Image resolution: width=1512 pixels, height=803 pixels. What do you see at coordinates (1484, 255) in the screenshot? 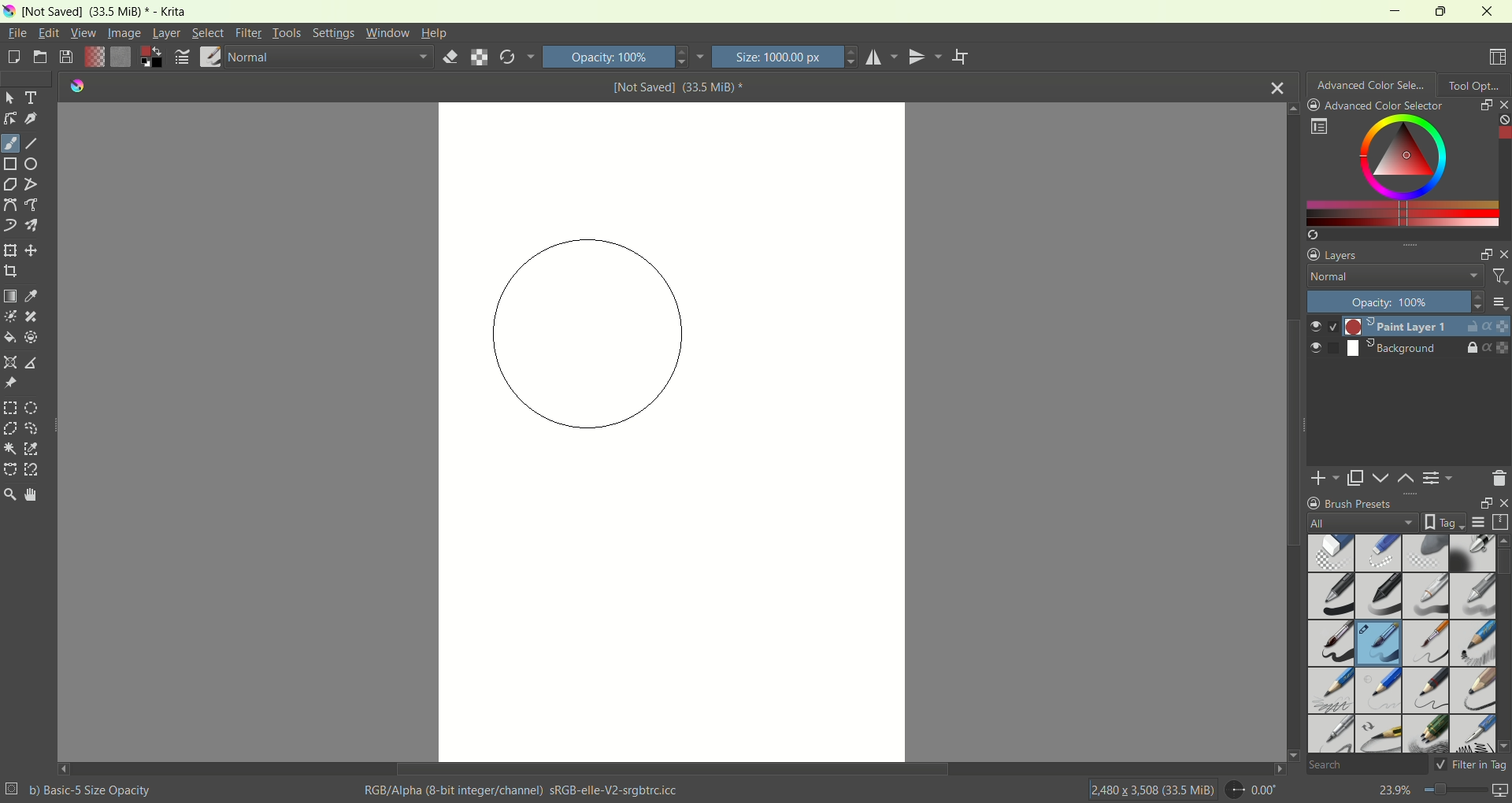
I see `float docker` at bounding box center [1484, 255].